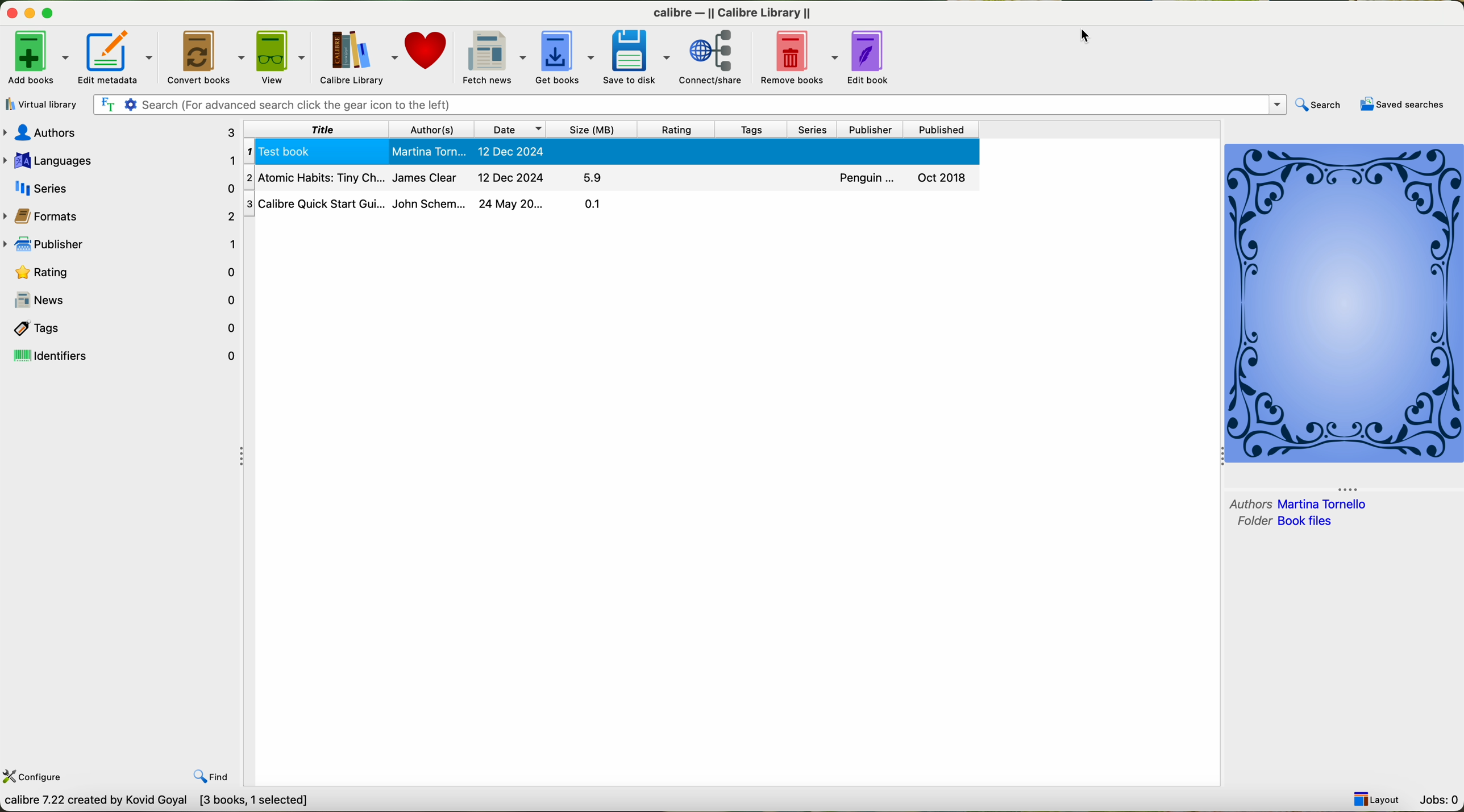 The width and height of the screenshot is (1464, 812). I want to click on publisher, so click(874, 129).